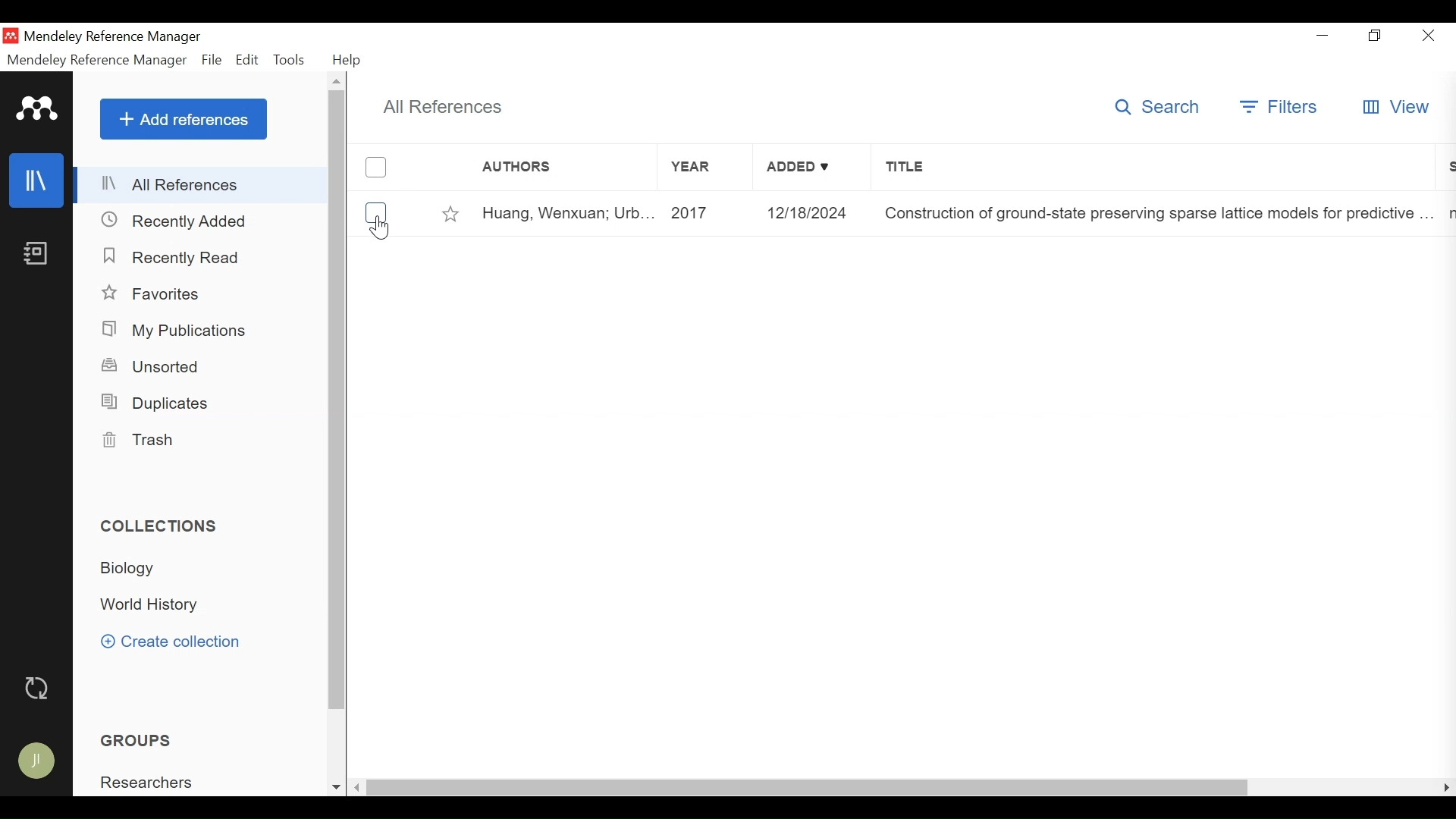 This screenshot has height=819, width=1456. What do you see at coordinates (211, 61) in the screenshot?
I see `File` at bounding box center [211, 61].